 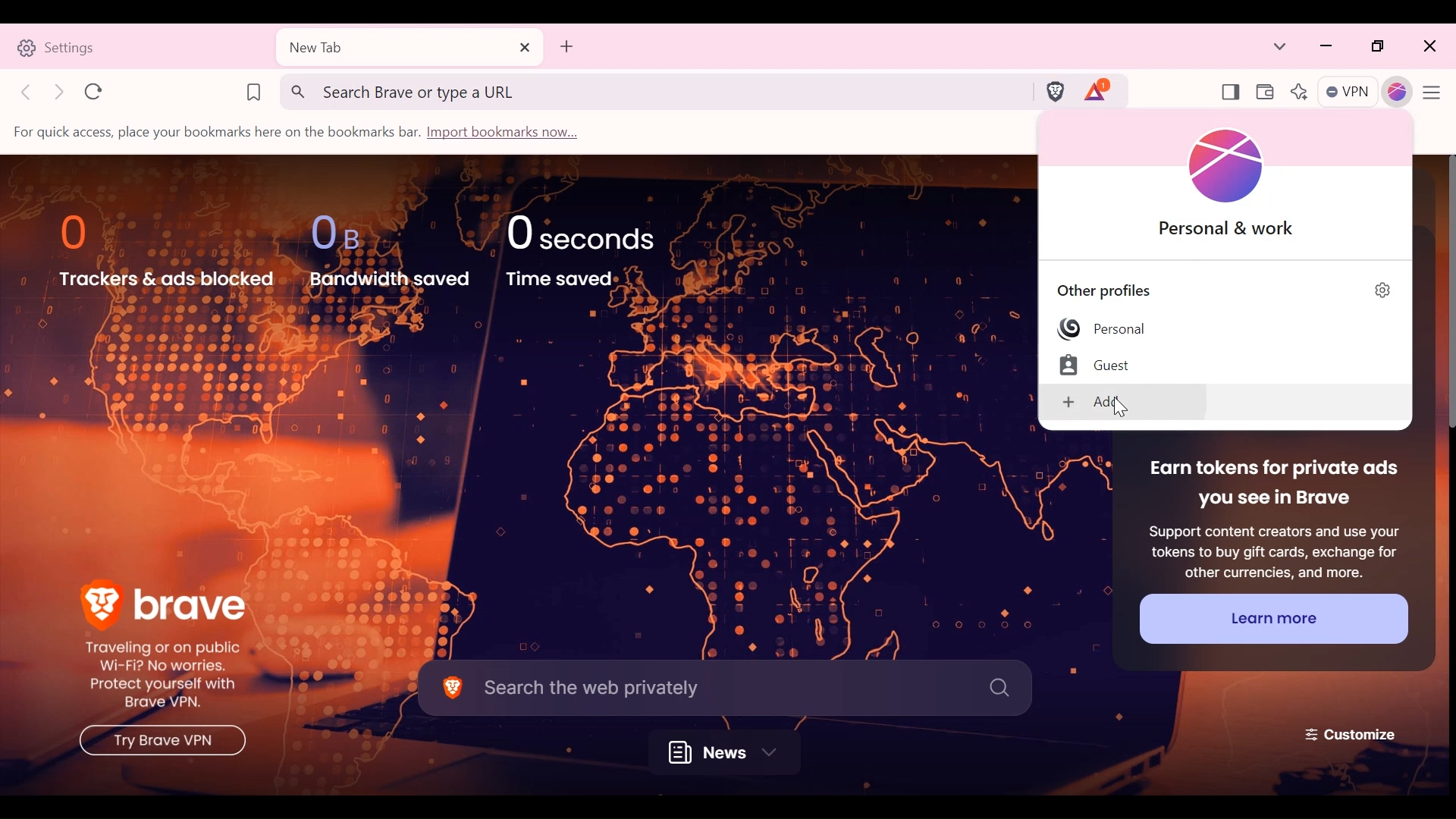 What do you see at coordinates (1280, 47) in the screenshot?
I see `List all tabs` at bounding box center [1280, 47].